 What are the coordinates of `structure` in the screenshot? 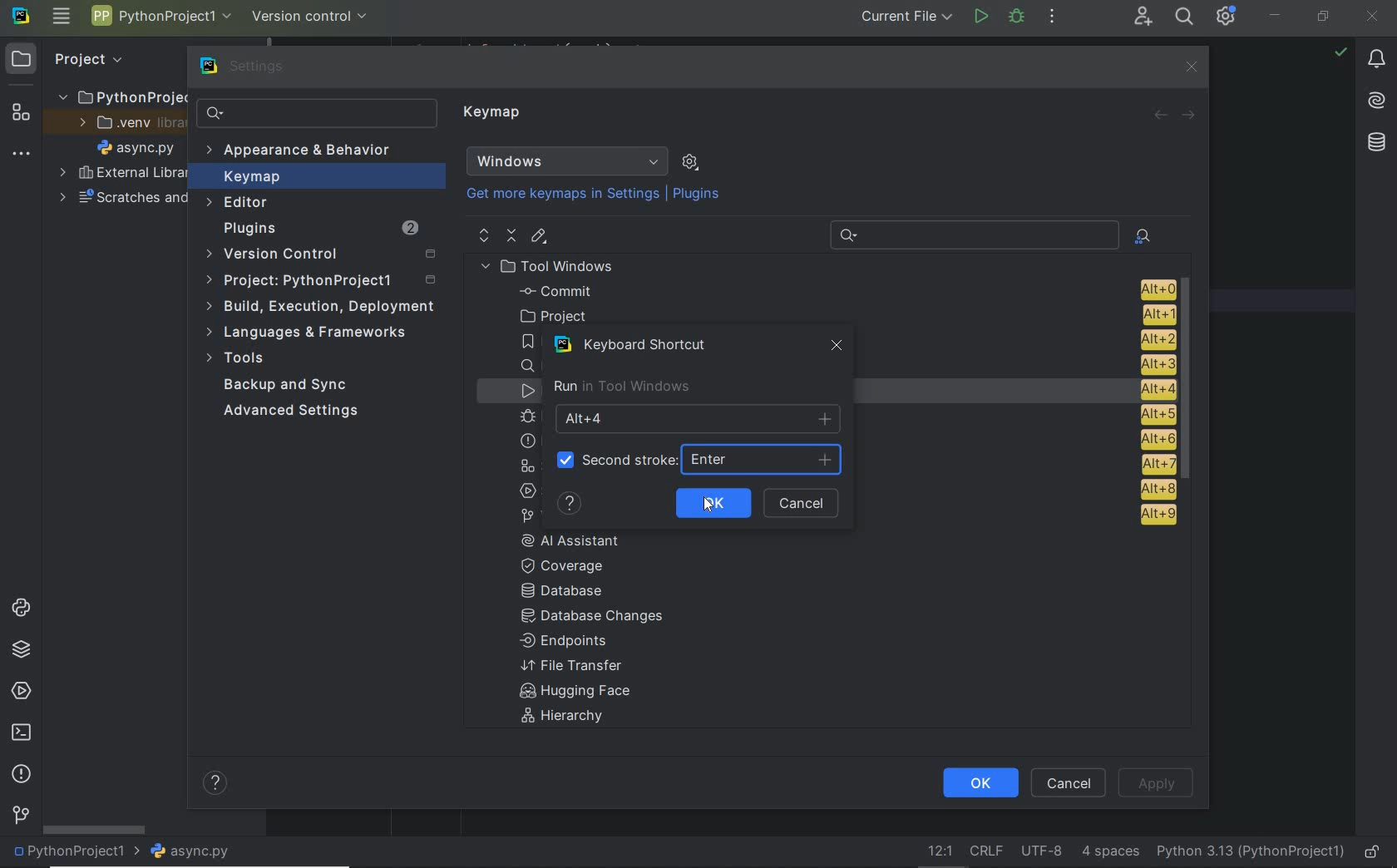 It's located at (18, 111).